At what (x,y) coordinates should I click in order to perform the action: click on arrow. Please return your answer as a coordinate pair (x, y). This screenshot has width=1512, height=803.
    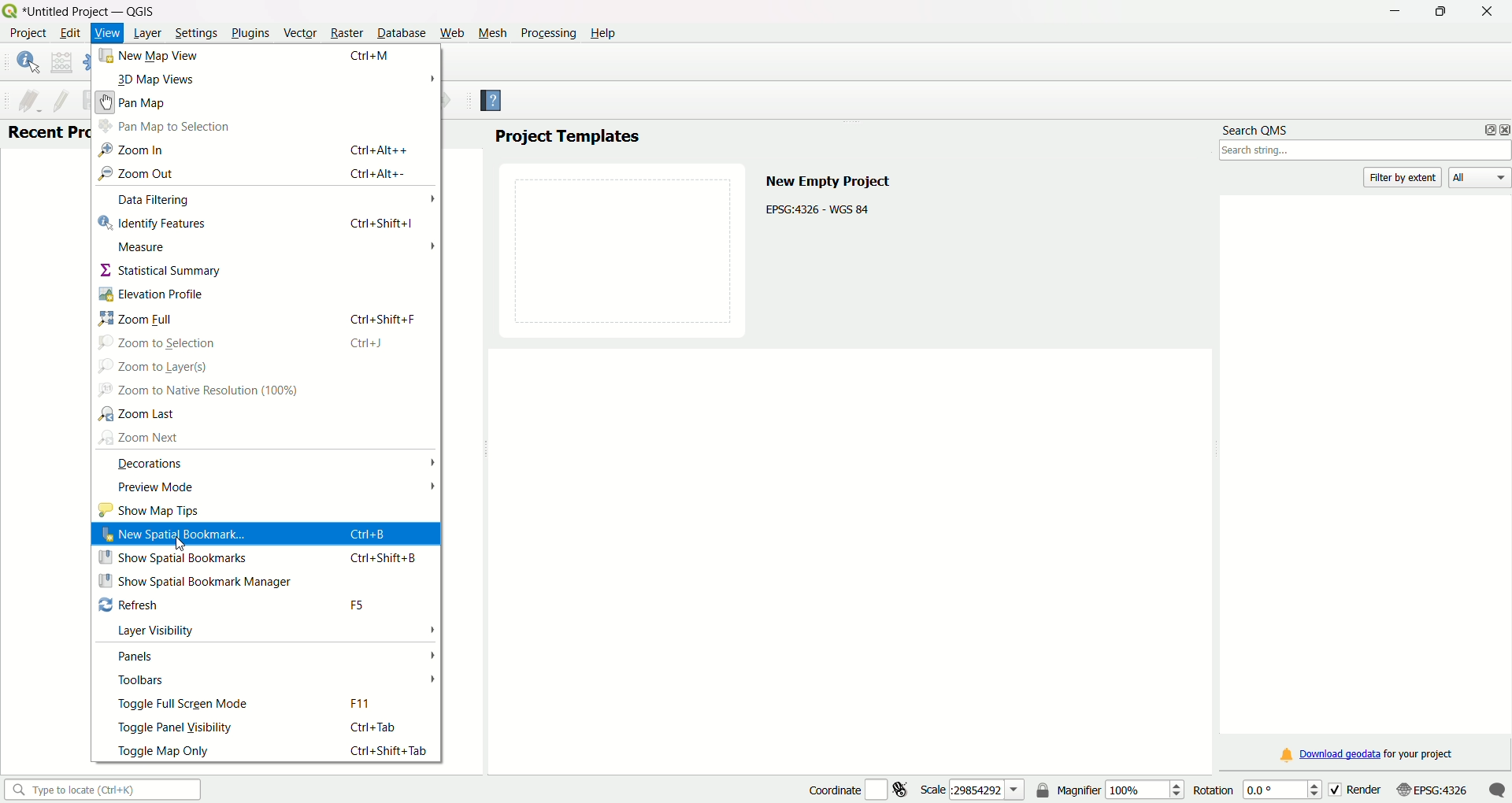
    Looking at the image, I should click on (428, 199).